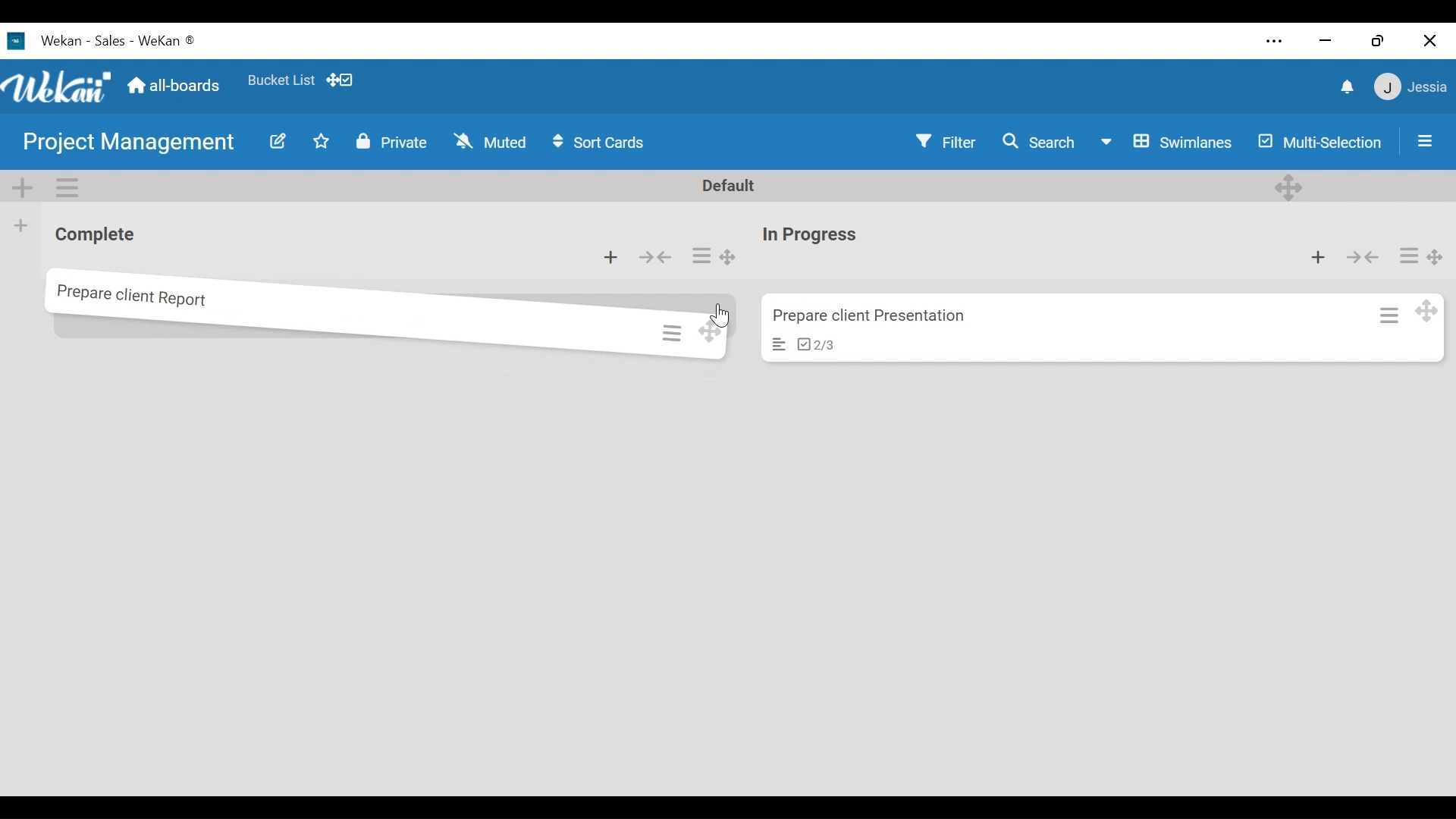 Image resolution: width=1456 pixels, height=819 pixels. I want to click on List actions, so click(702, 257).